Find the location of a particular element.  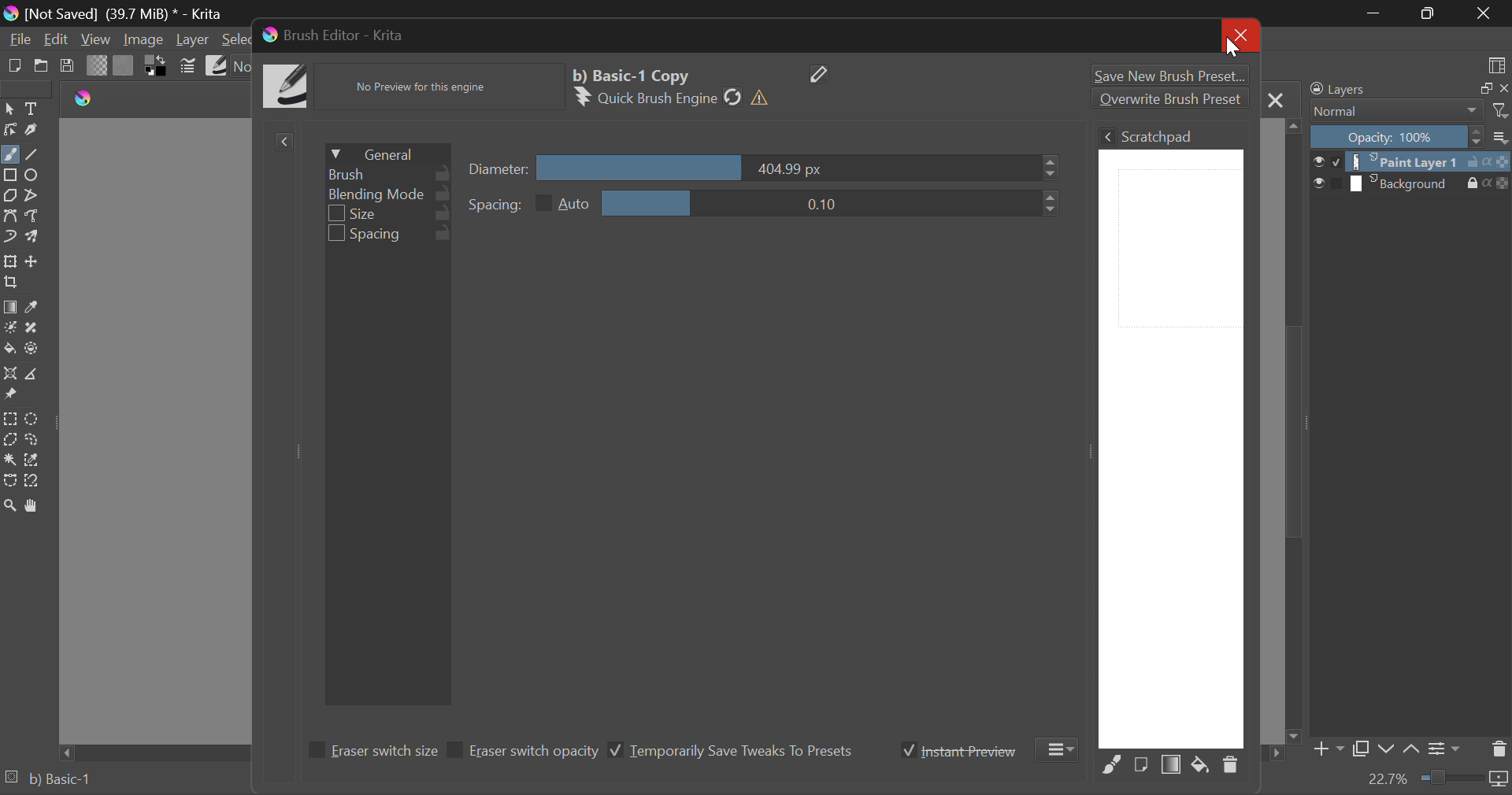

Close is located at coordinates (1239, 34).